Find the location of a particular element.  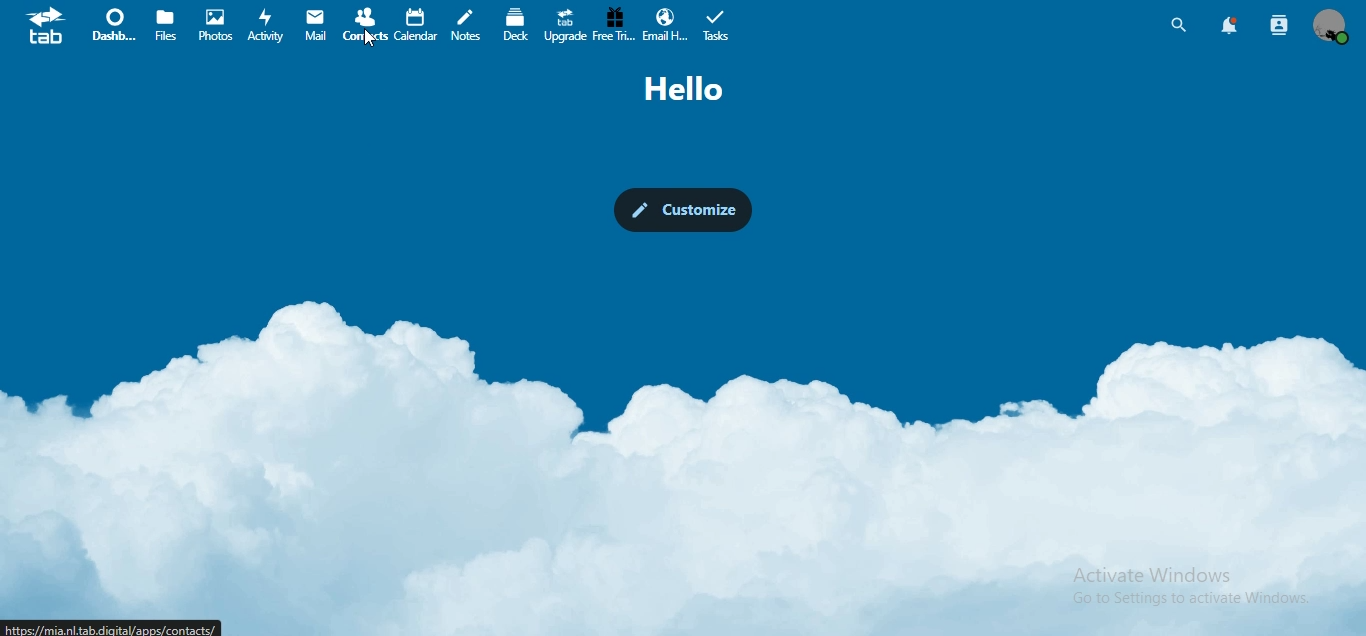

calendar is located at coordinates (413, 23).